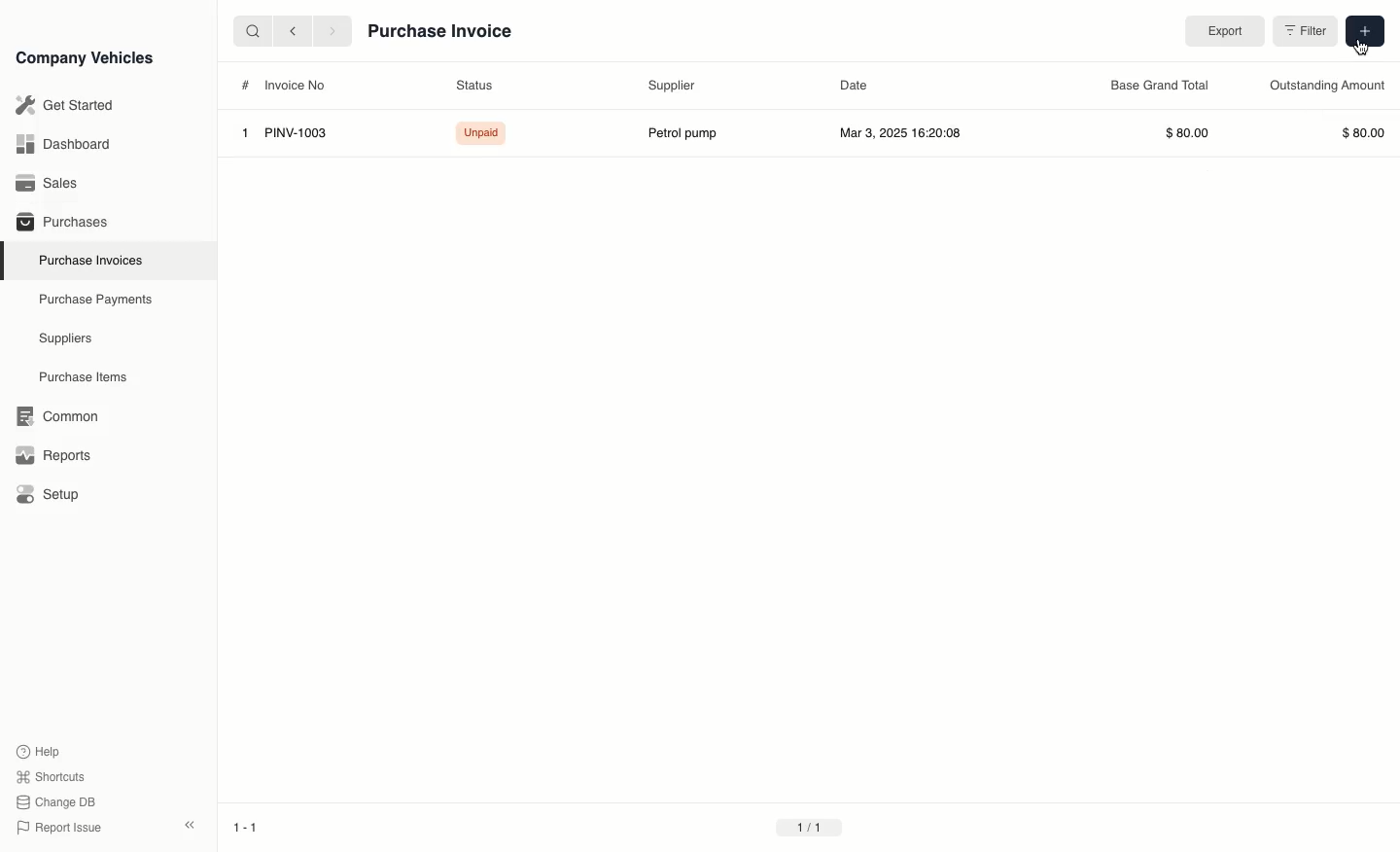  I want to click on Sales, so click(48, 183).